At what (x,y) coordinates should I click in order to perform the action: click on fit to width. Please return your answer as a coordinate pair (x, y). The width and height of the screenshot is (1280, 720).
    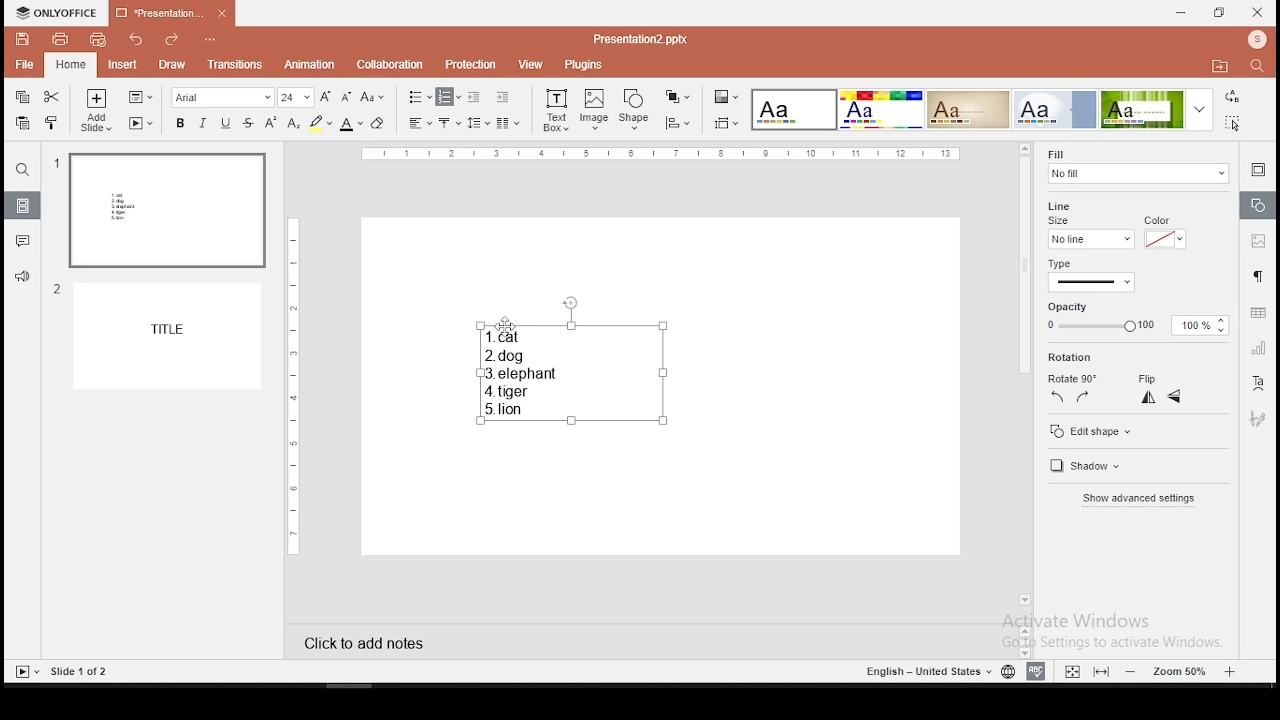
    Looking at the image, I should click on (1102, 672).